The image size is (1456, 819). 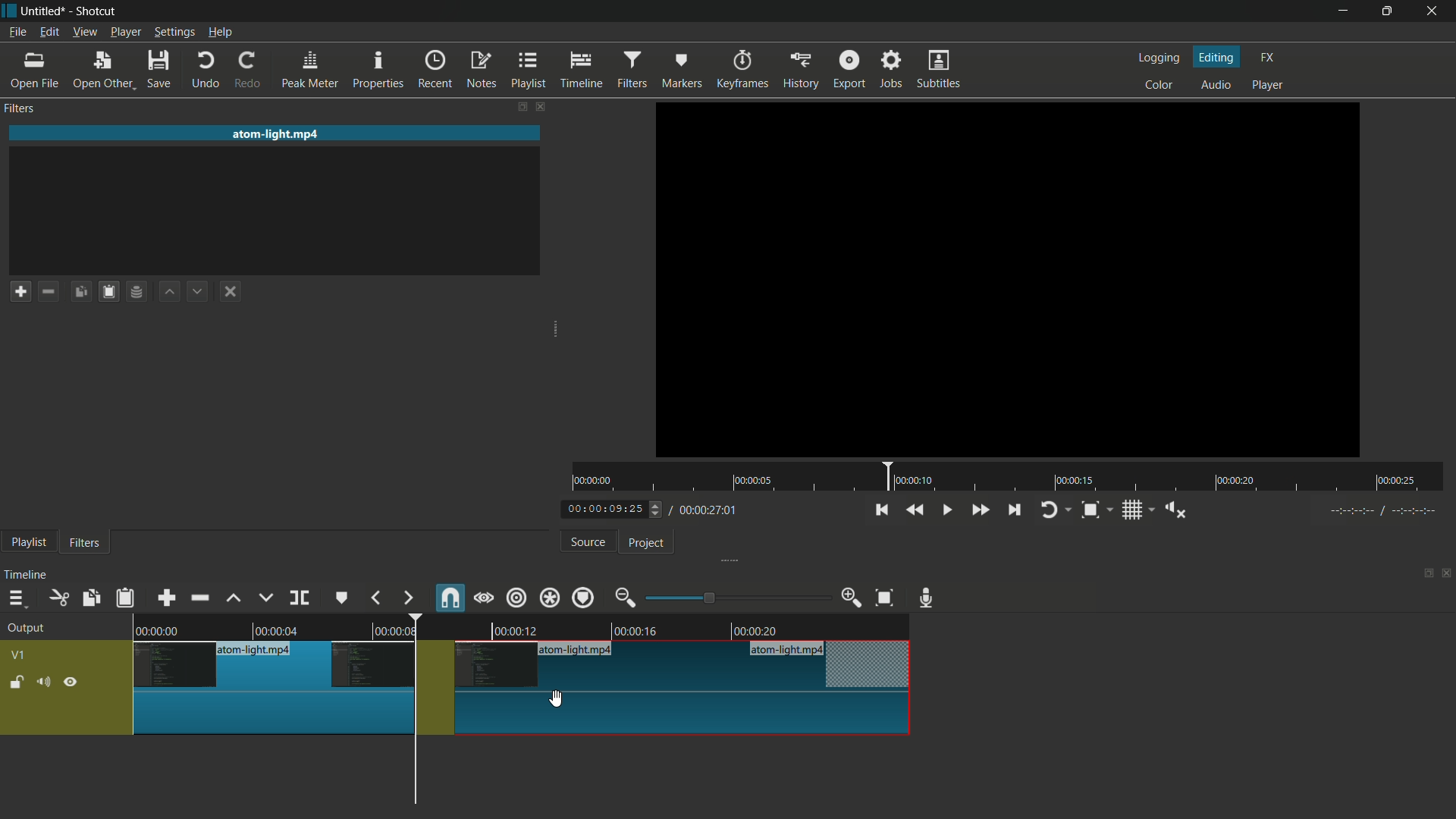 What do you see at coordinates (28, 544) in the screenshot?
I see `playlist` at bounding box center [28, 544].